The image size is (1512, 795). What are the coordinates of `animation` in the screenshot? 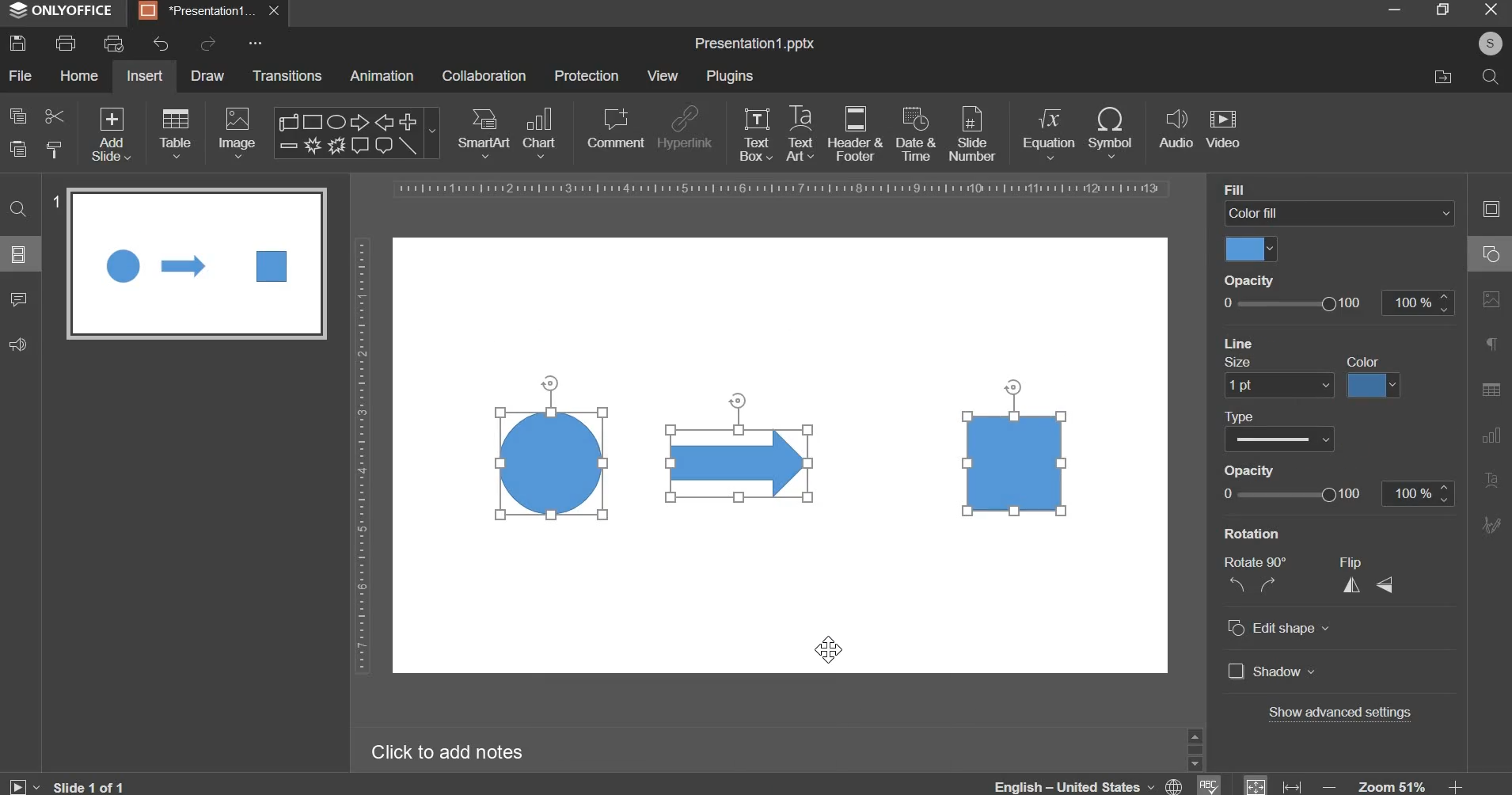 It's located at (382, 75).